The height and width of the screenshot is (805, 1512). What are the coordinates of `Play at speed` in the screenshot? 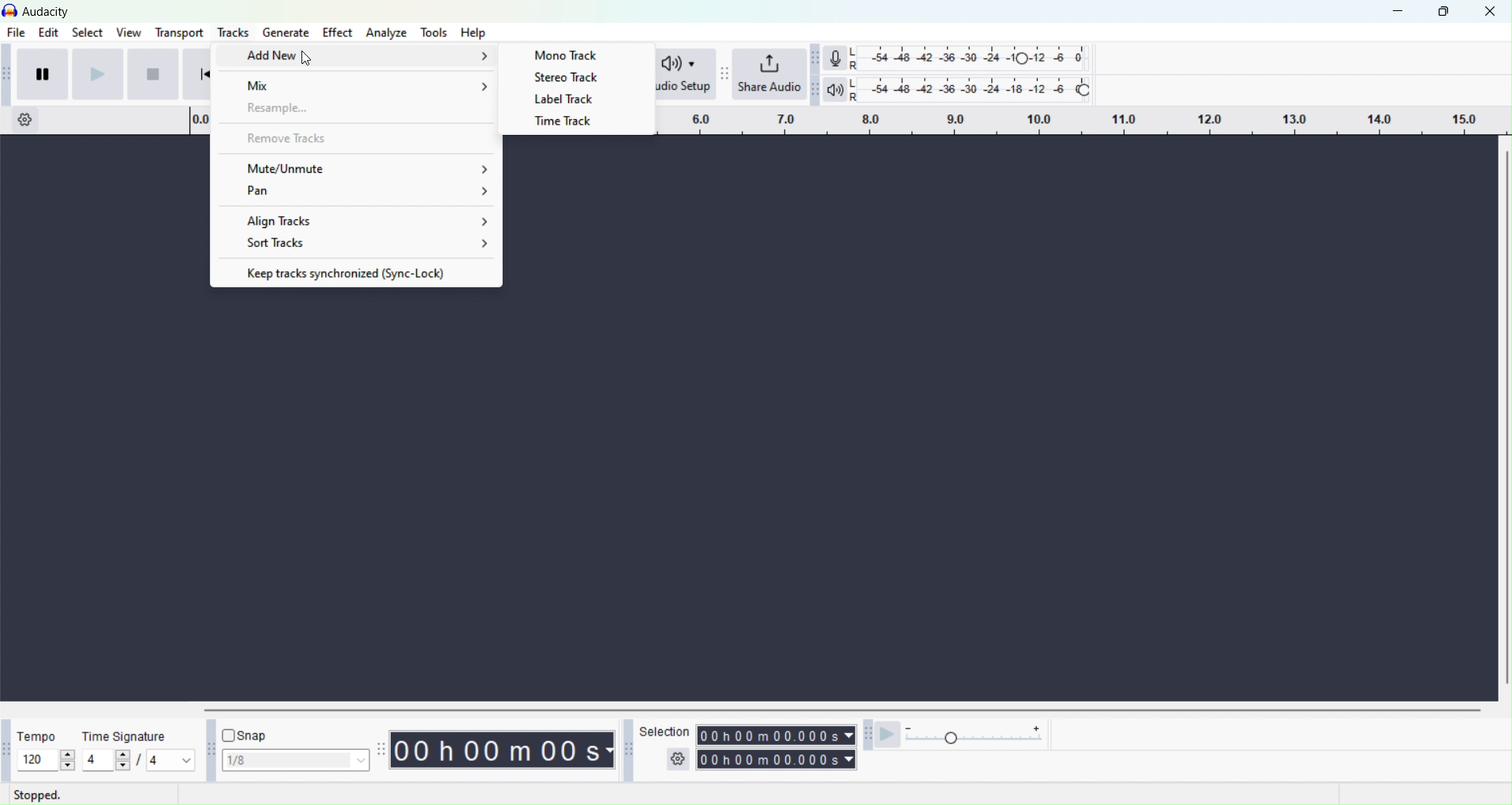 It's located at (891, 736).